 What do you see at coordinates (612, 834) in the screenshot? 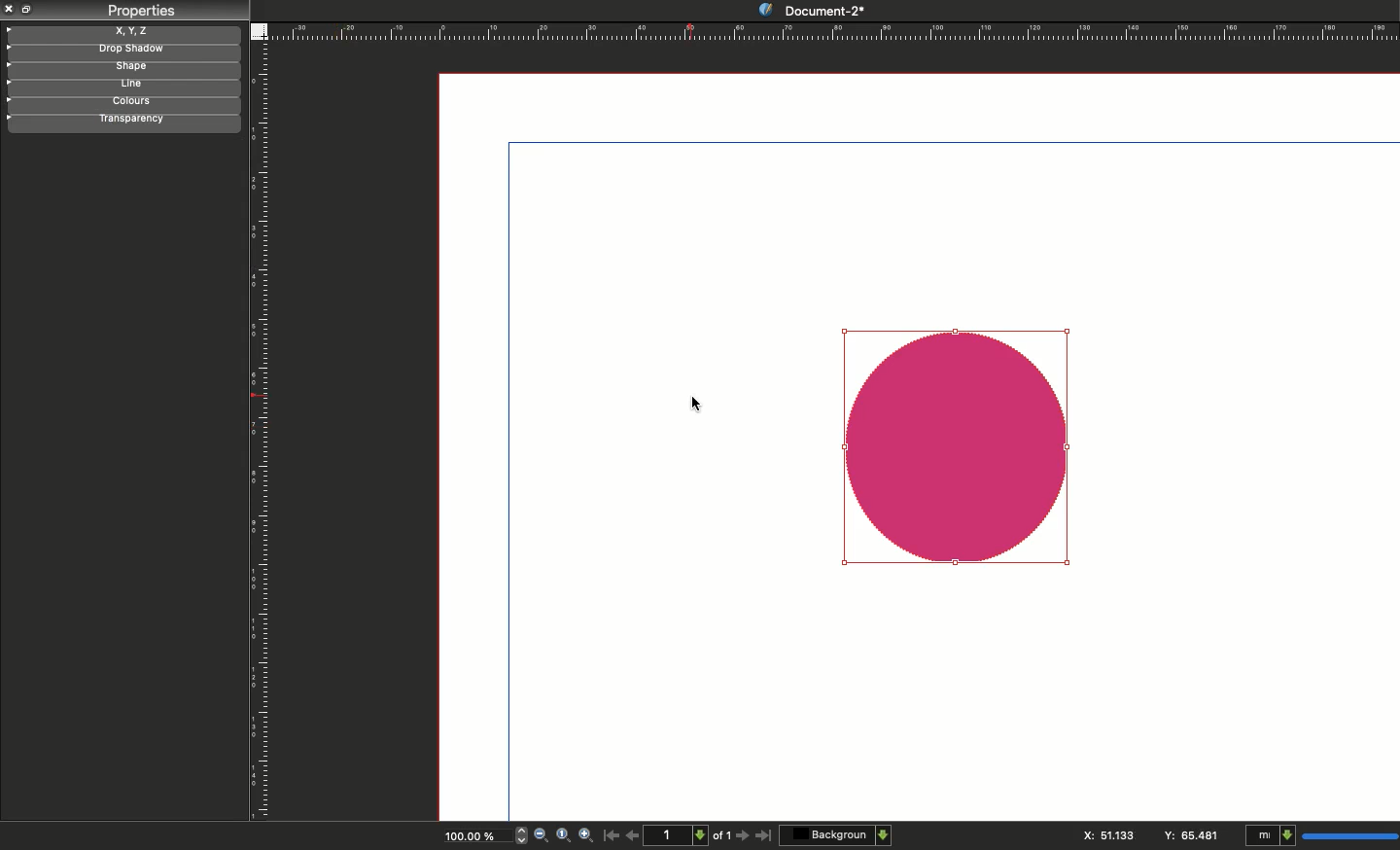
I see `First page` at bounding box center [612, 834].